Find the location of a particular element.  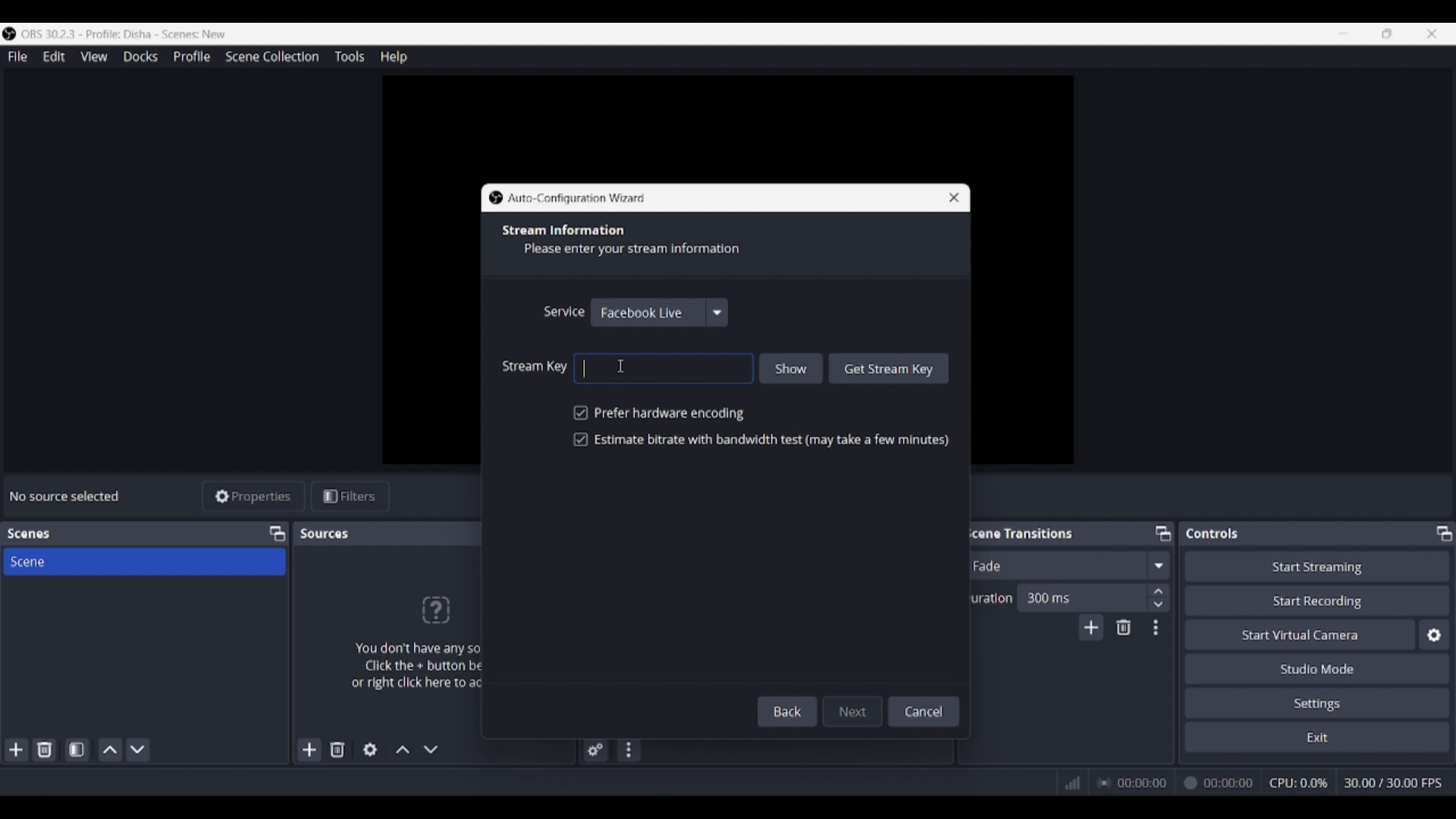

Scene title is located at coordinates (144, 561).